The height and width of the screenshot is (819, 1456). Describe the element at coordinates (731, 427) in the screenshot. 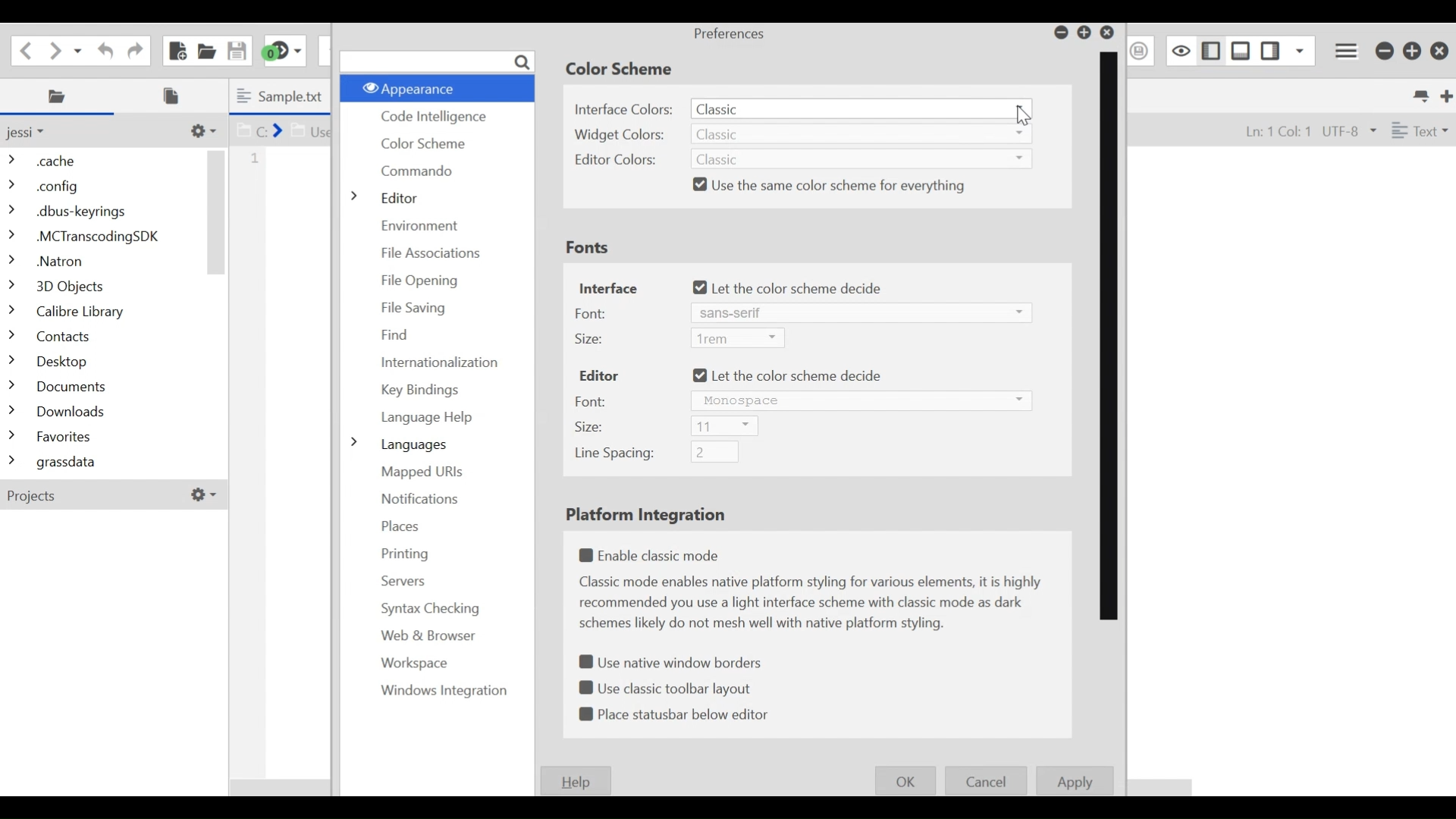

I see `Size dropdown menu` at that location.